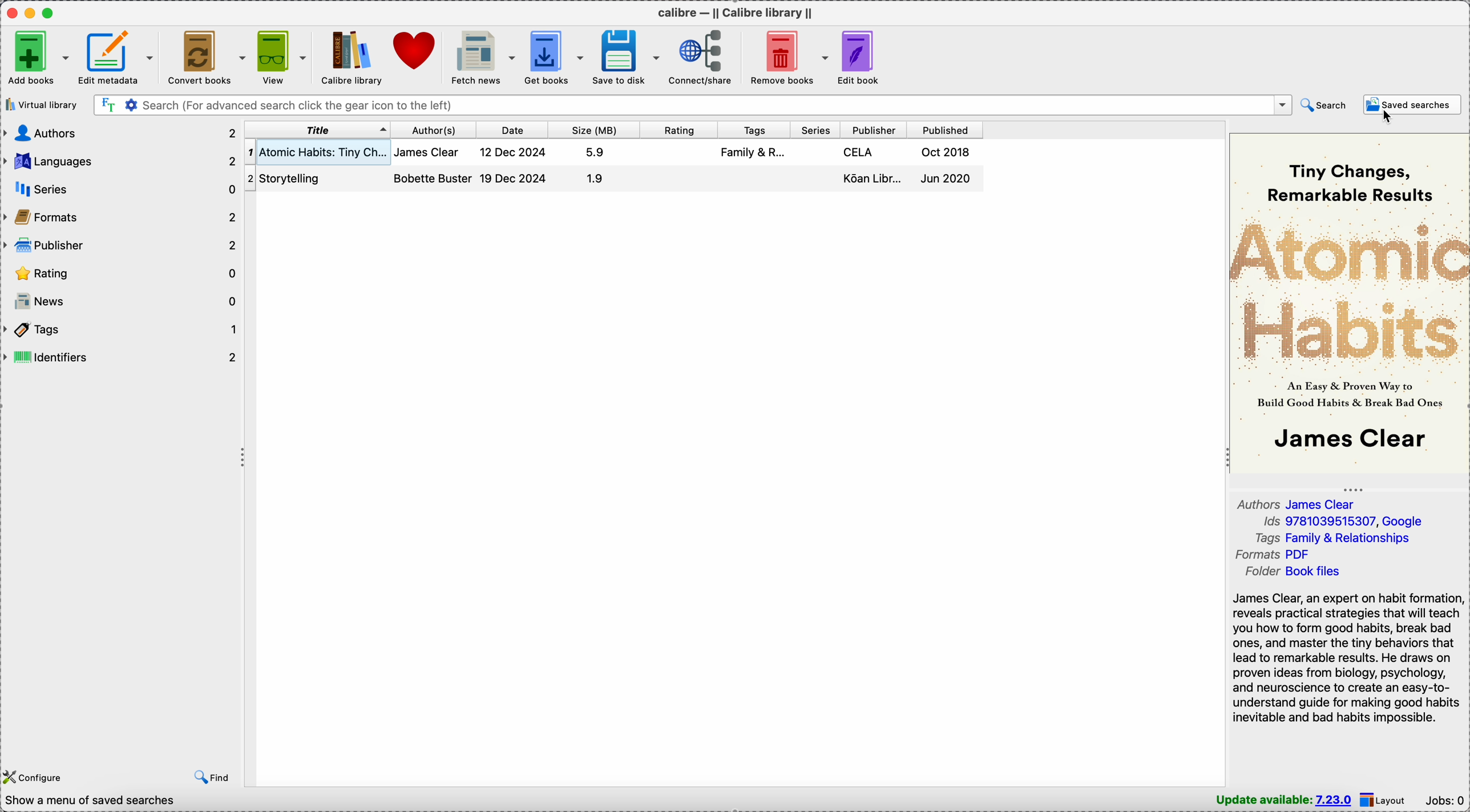  I want to click on minimize Calibre, so click(32, 13).